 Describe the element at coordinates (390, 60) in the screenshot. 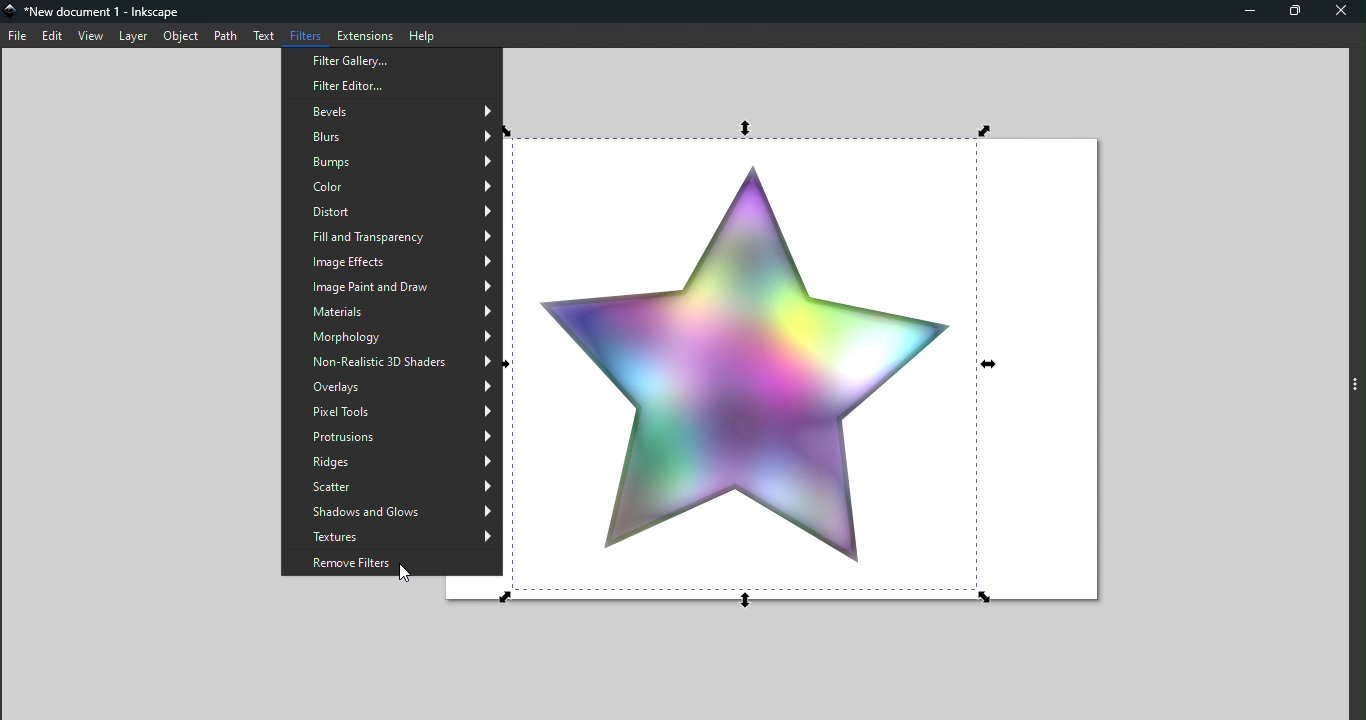

I see `Filter Gallery` at that location.